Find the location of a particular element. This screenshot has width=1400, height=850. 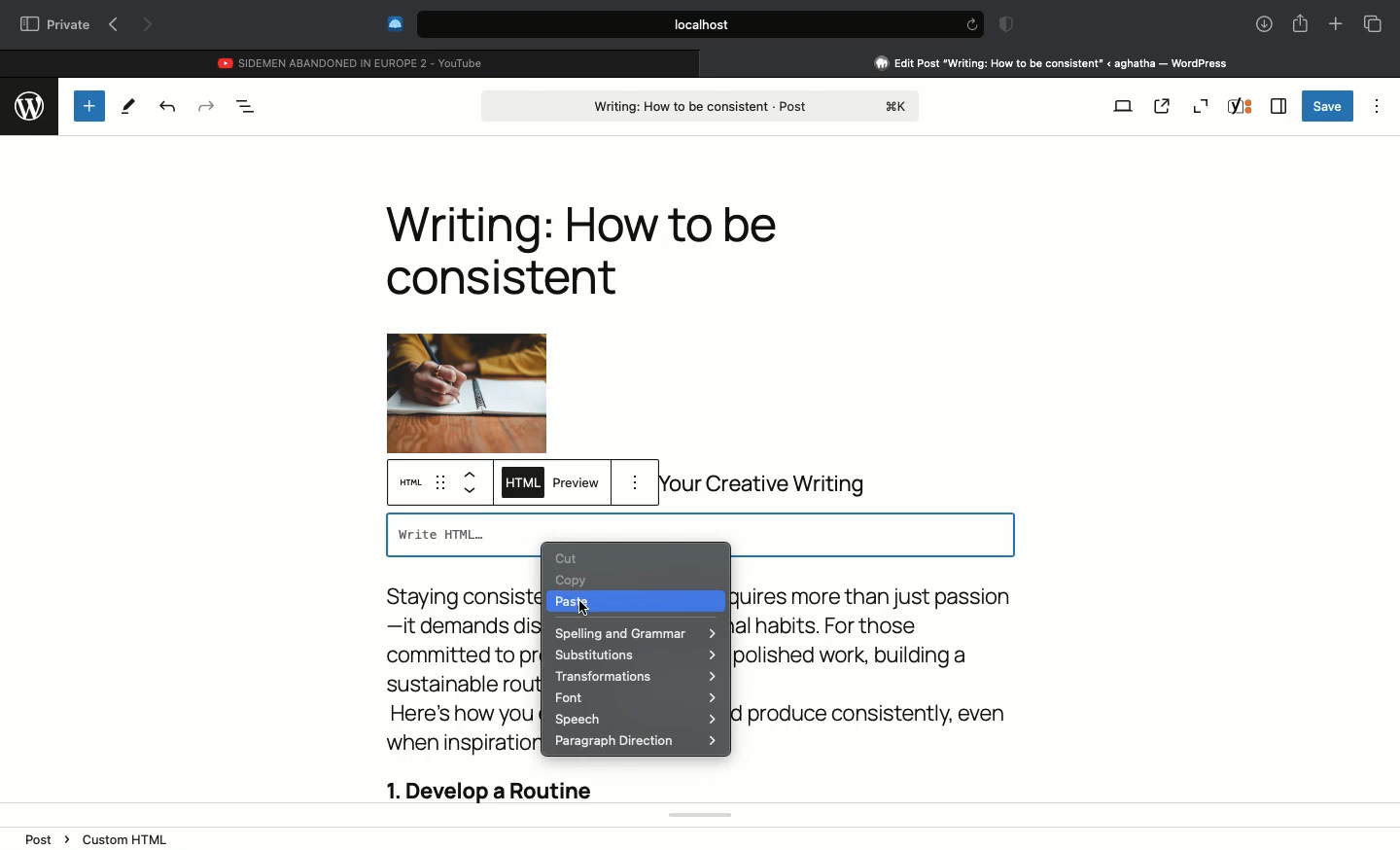

HTML is located at coordinates (414, 484).